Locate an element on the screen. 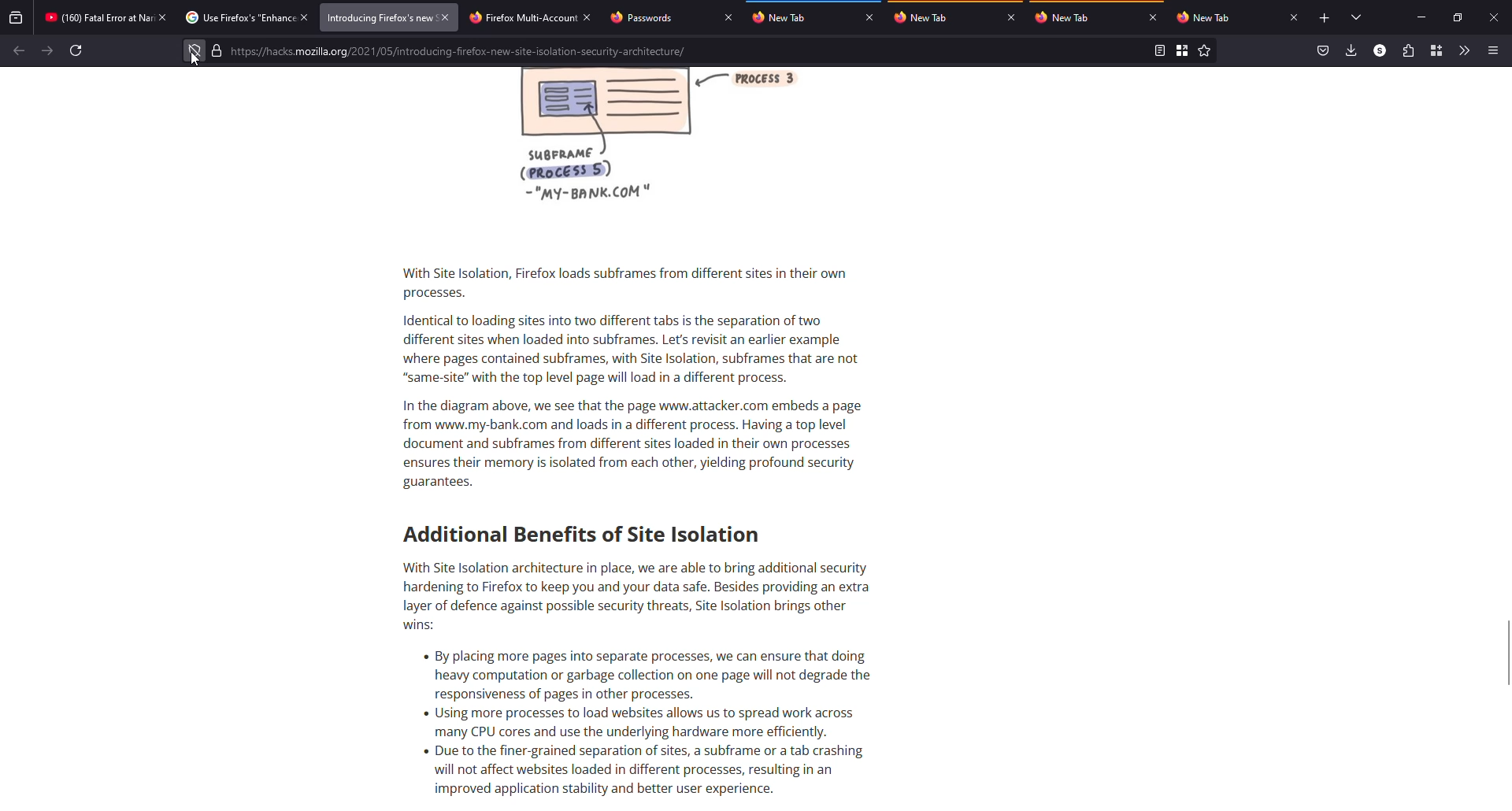 Image resolution: width=1512 pixels, height=811 pixels. close is located at coordinates (728, 17).